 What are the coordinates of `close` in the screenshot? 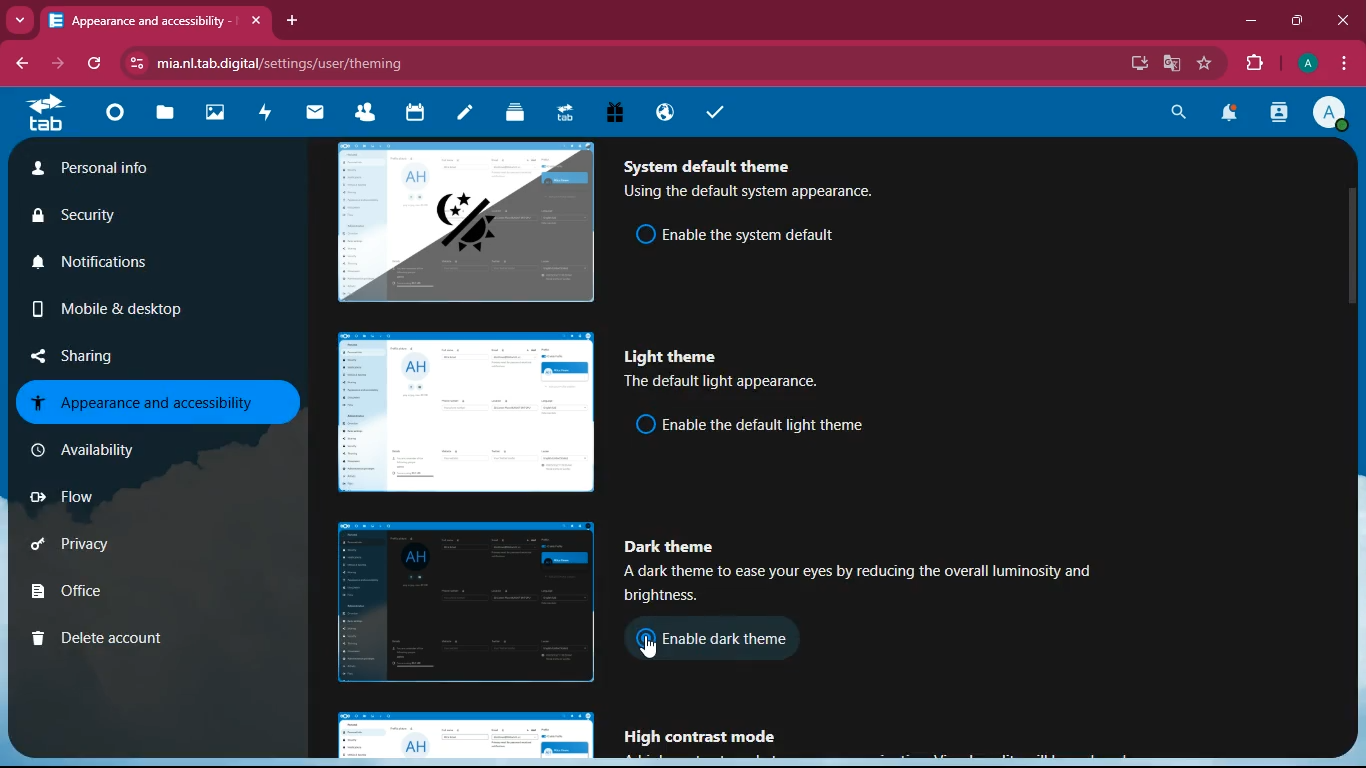 It's located at (1344, 19).